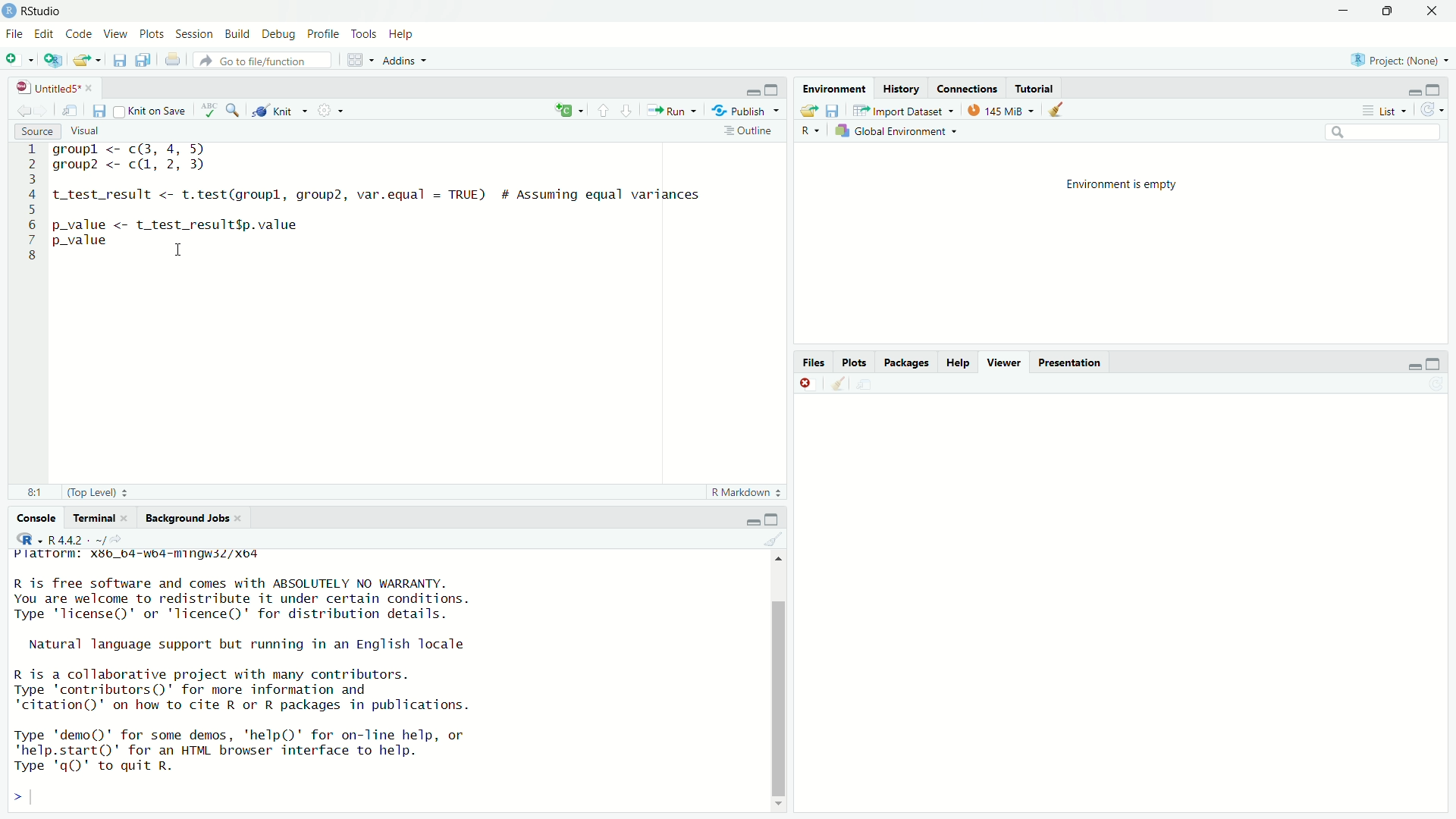 The image size is (1456, 819). What do you see at coordinates (193, 519) in the screenshot?
I see `Background Jobs` at bounding box center [193, 519].